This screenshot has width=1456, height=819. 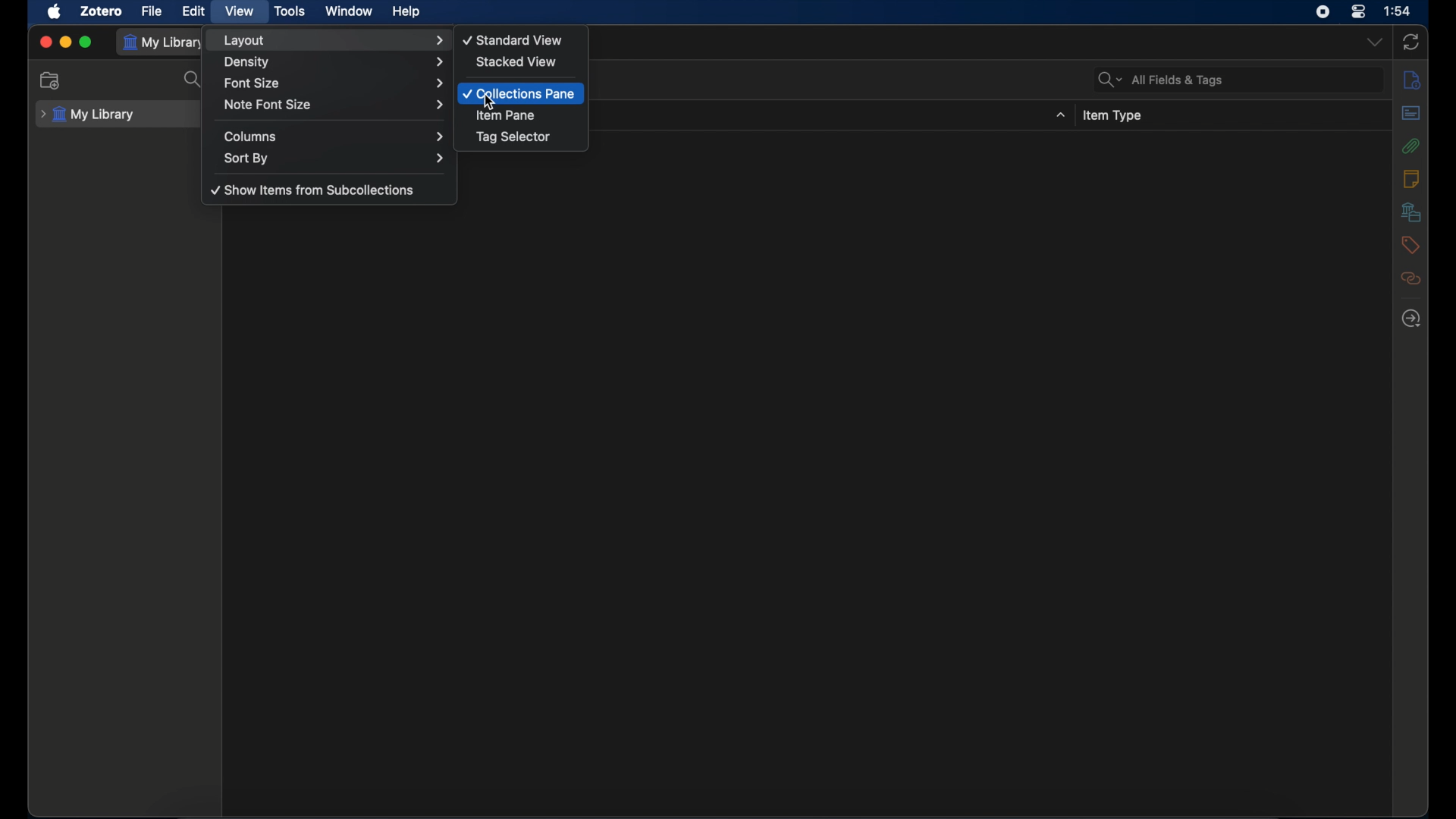 I want to click on show items from  subcollections, so click(x=314, y=190).